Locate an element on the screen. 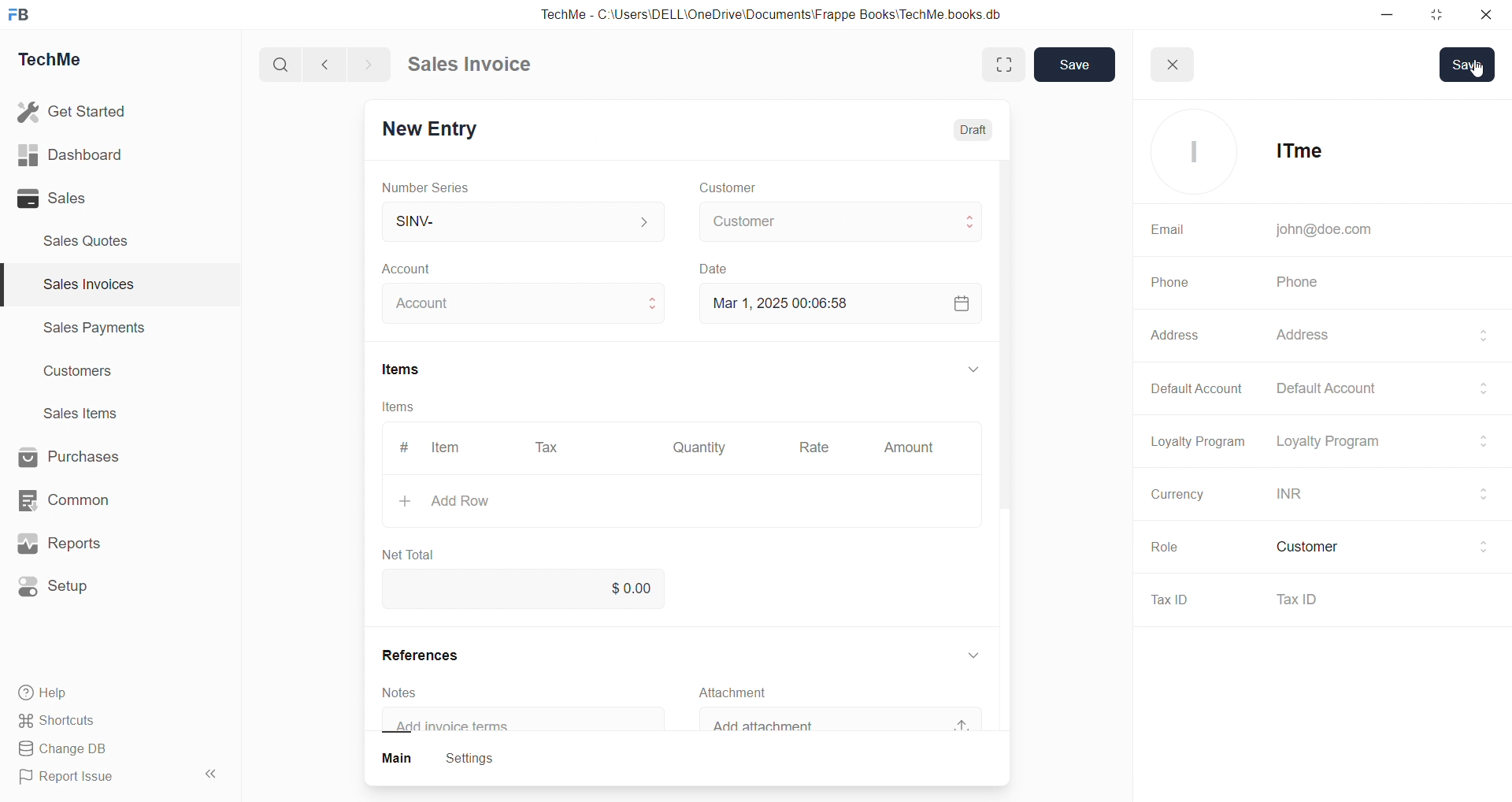 Image resolution: width=1512 pixels, height=802 pixels. Create is located at coordinates (715, 265).